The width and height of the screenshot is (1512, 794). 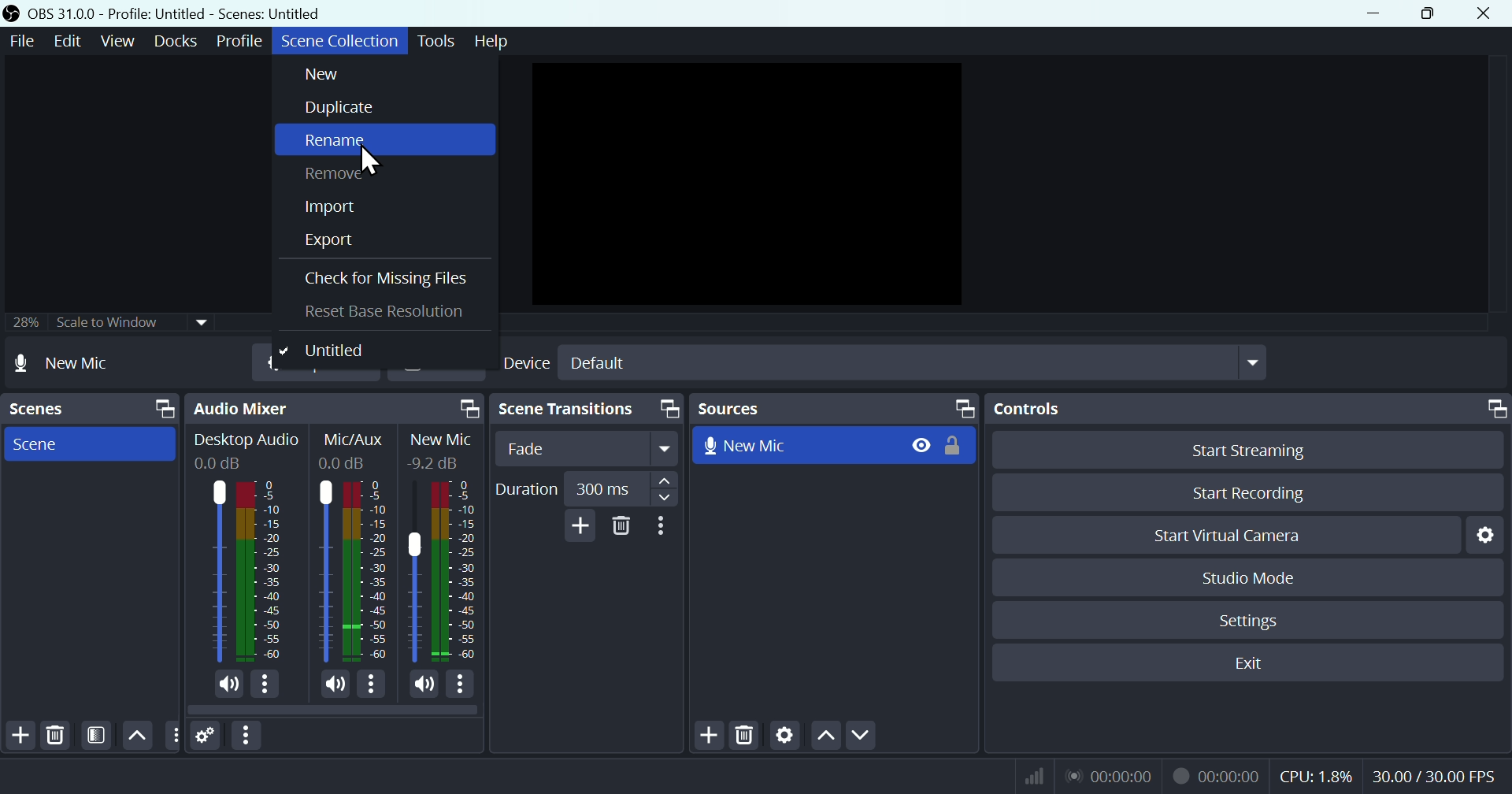 What do you see at coordinates (210, 734) in the screenshot?
I see `Settings` at bounding box center [210, 734].